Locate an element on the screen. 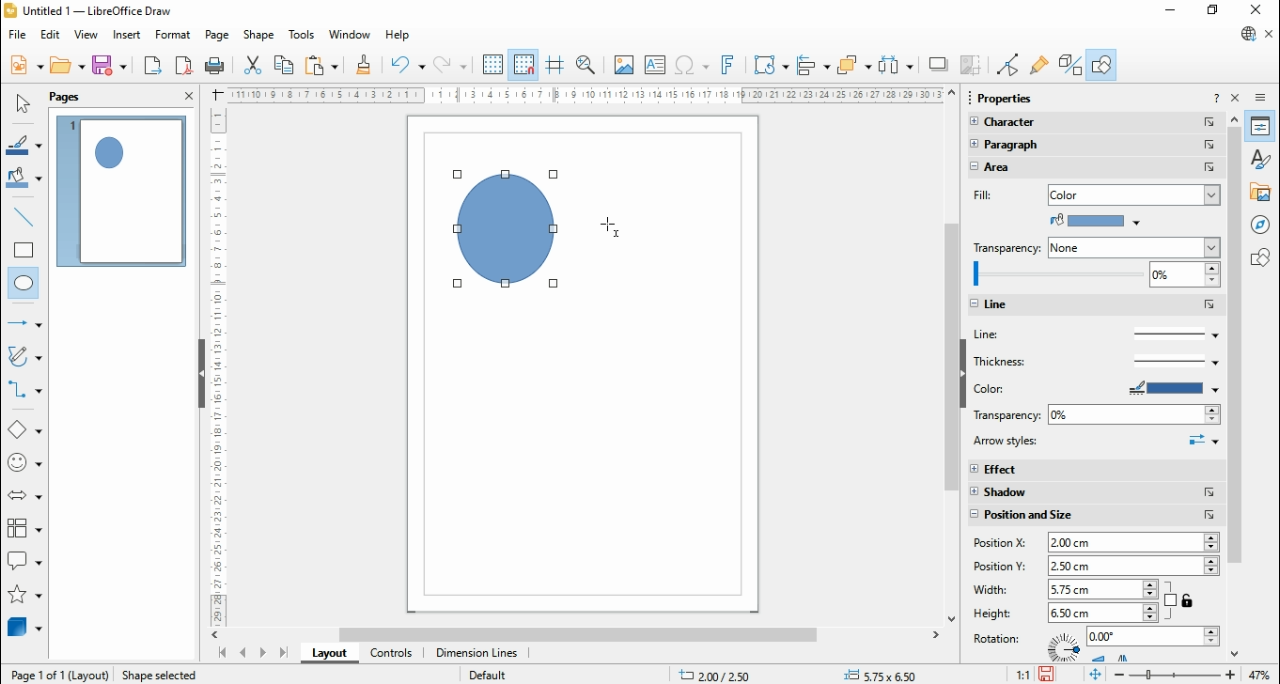  save is located at coordinates (1049, 674).